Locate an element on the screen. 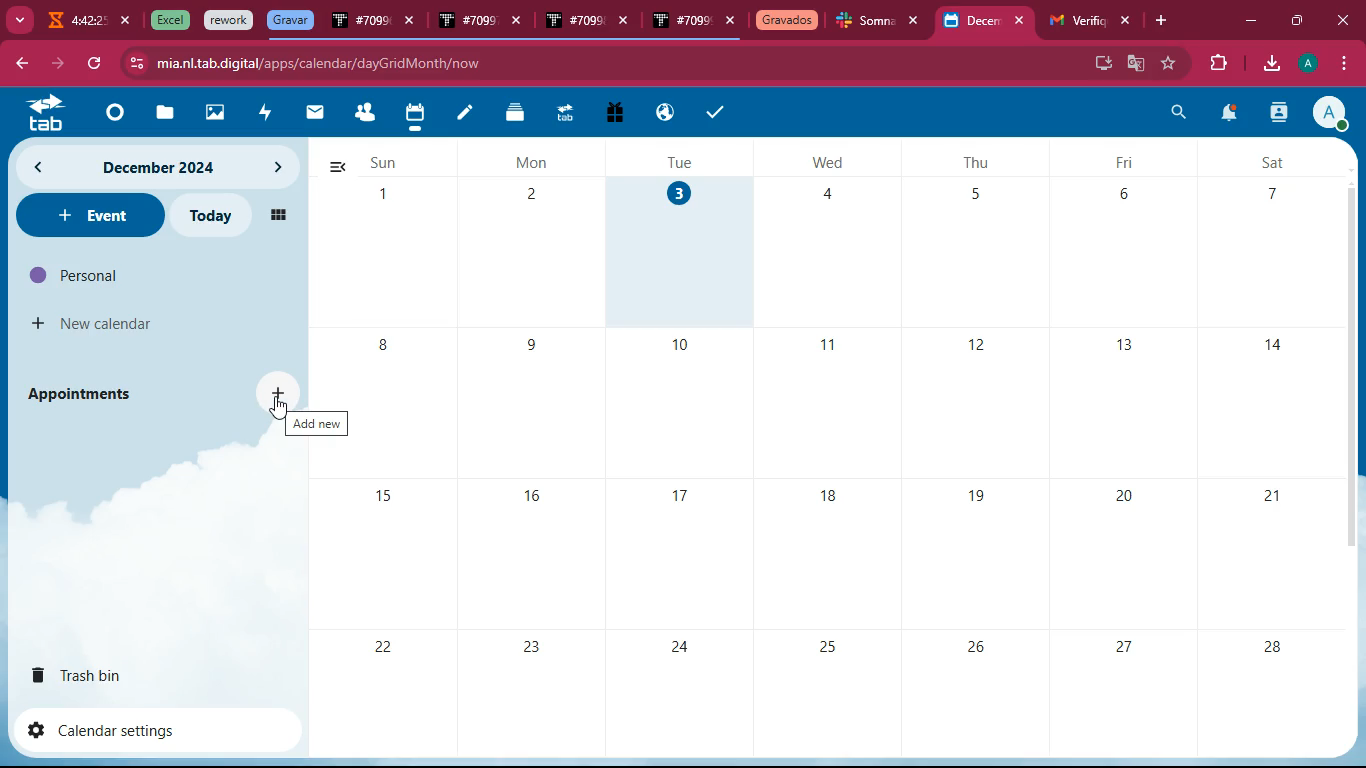  days is located at coordinates (837, 161).